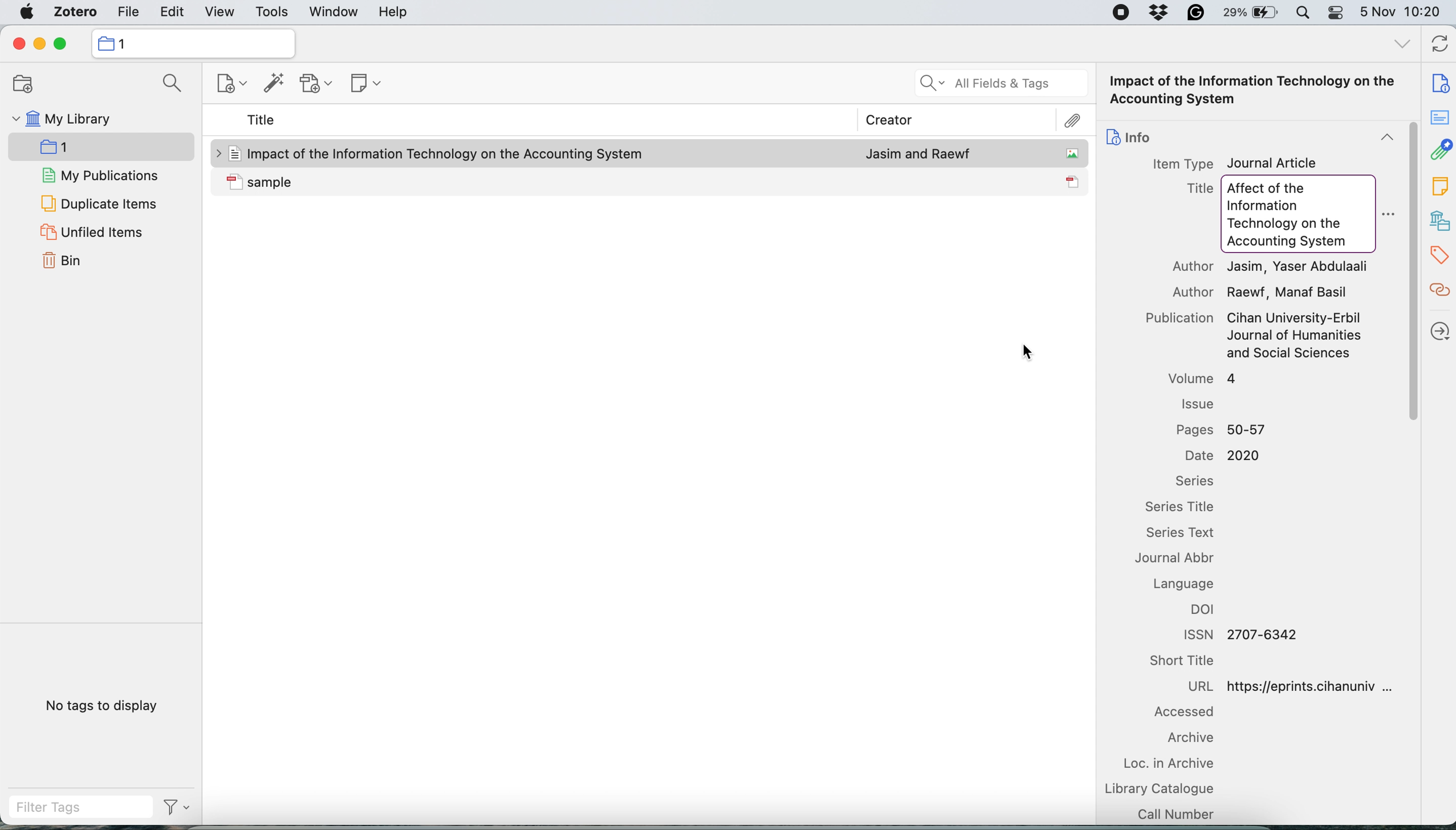 The image size is (1456, 830). What do you see at coordinates (1123, 12) in the screenshot?
I see `screen recorder` at bounding box center [1123, 12].